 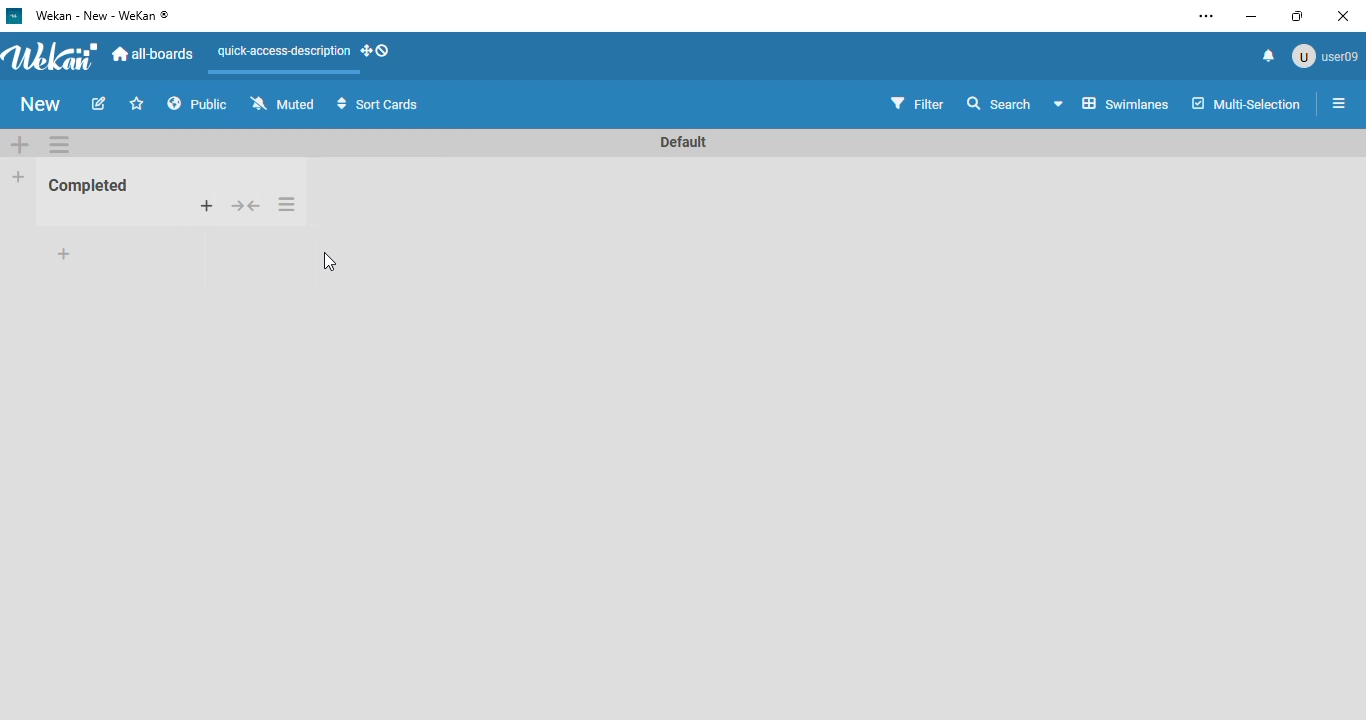 What do you see at coordinates (1246, 104) in the screenshot?
I see `multi-selection` at bounding box center [1246, 104].